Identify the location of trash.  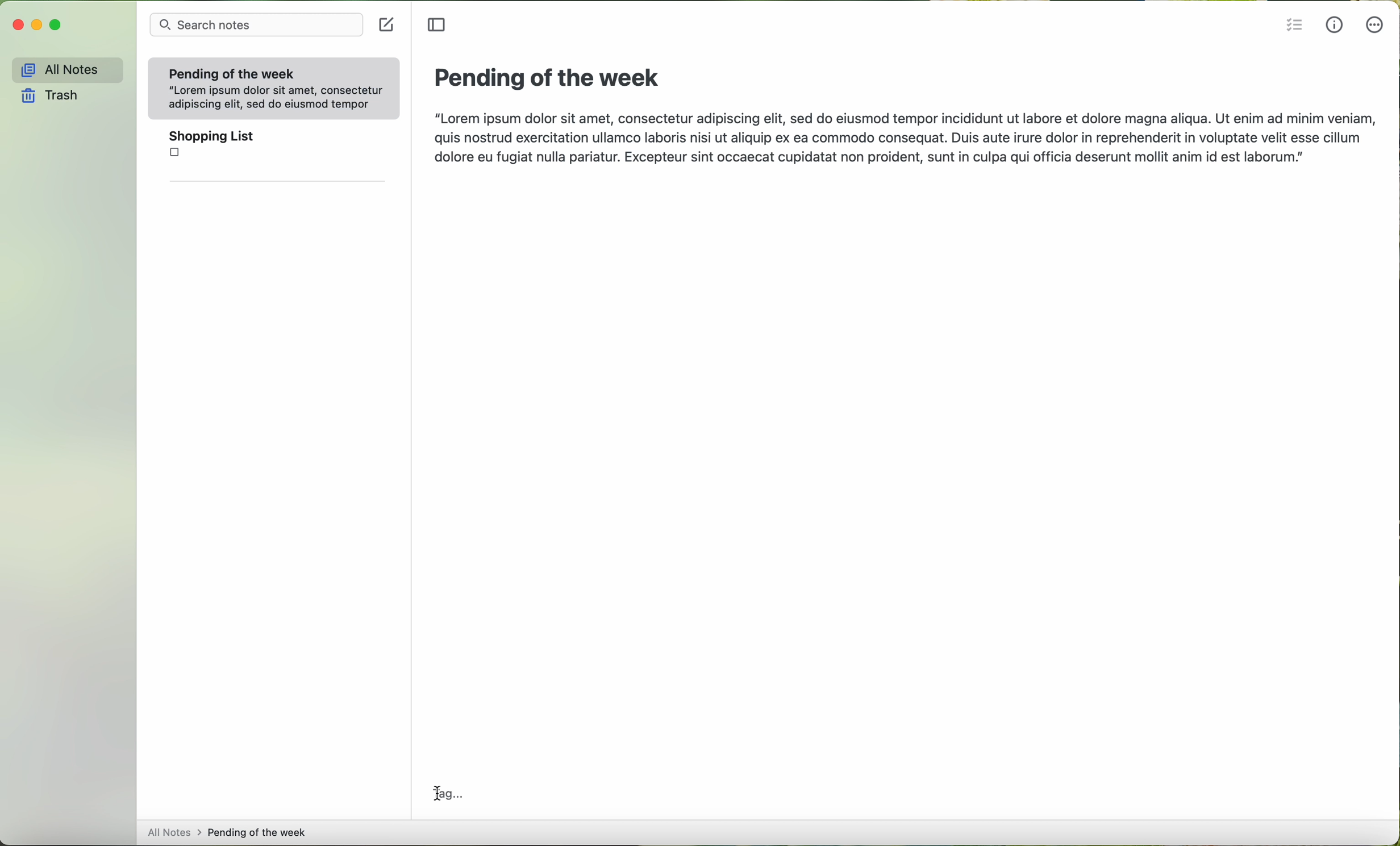
(48, 95).